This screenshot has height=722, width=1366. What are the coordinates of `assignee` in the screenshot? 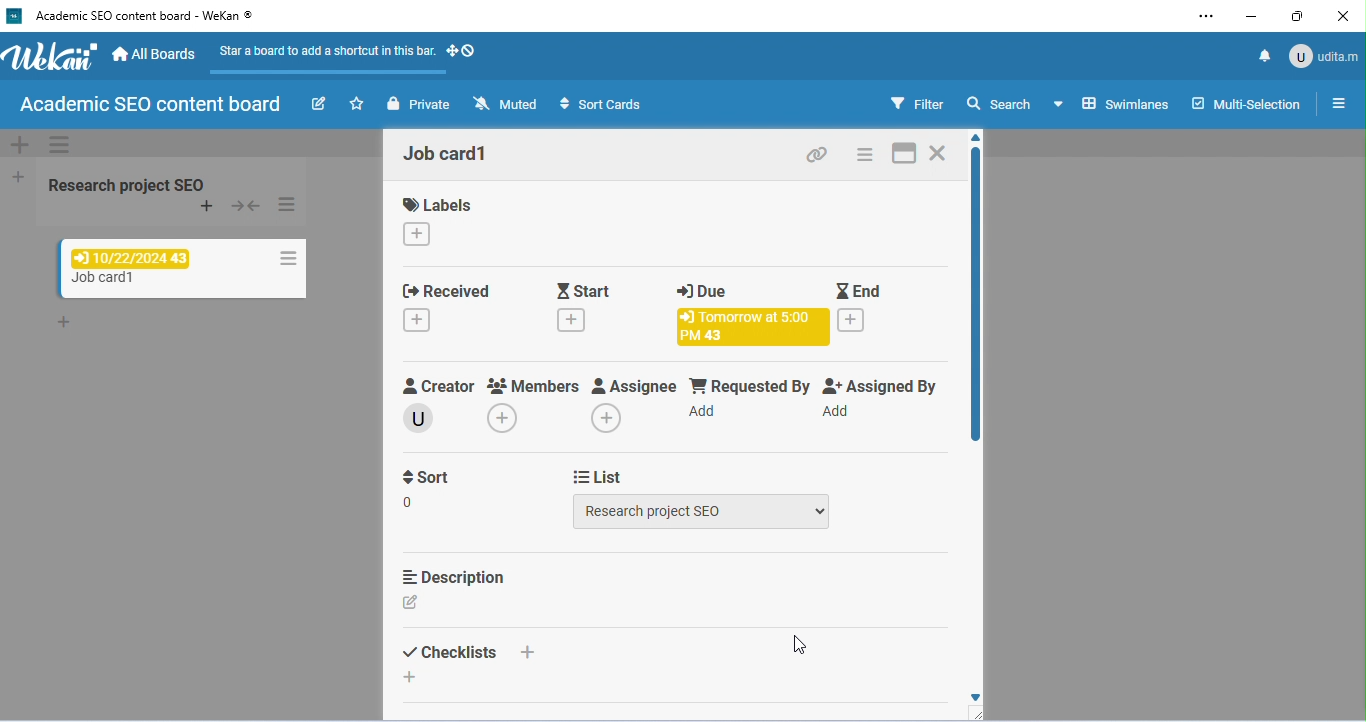 It's located at (635, 383).